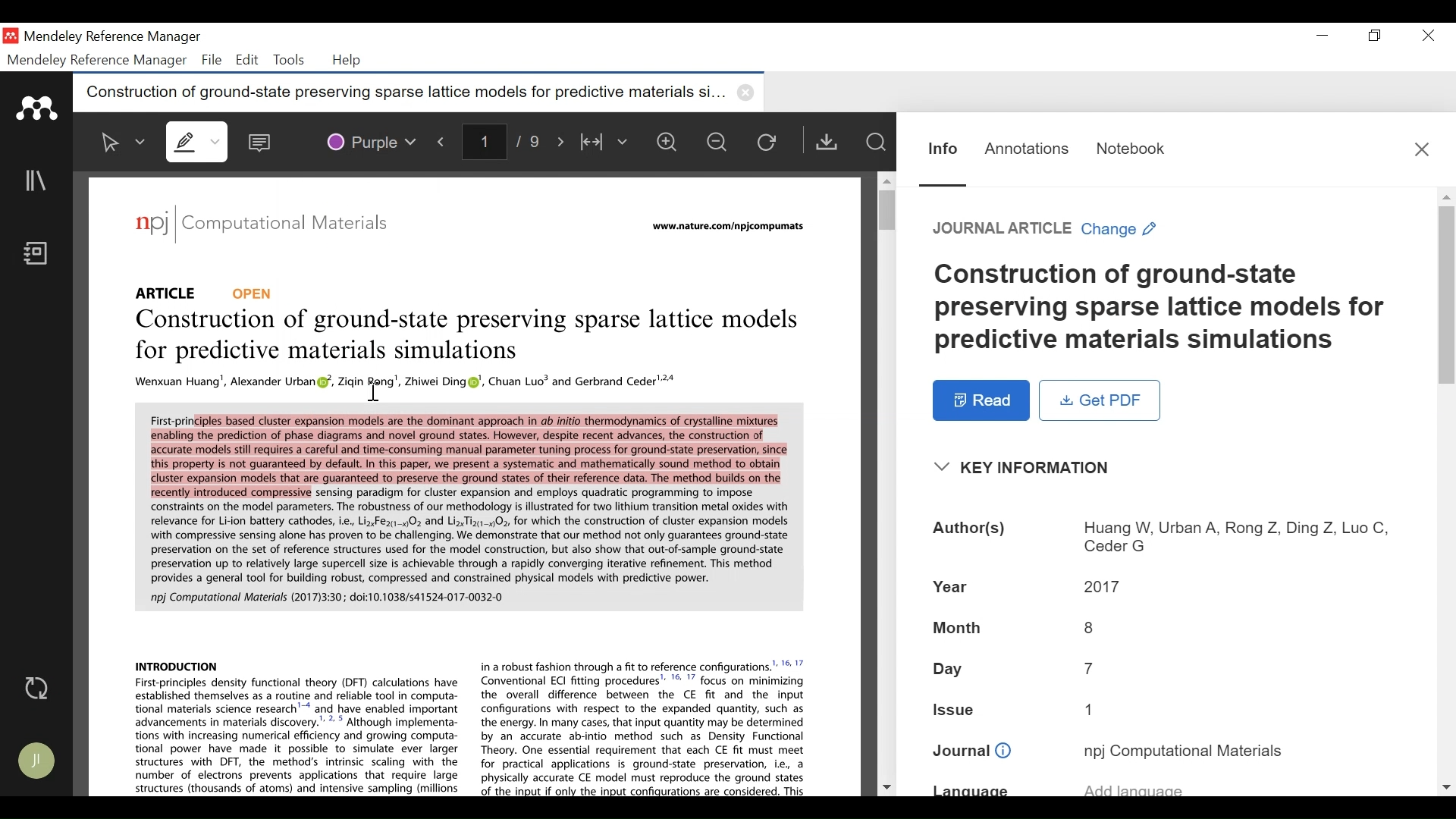  Describe the element at coordinates (1089, 629) in the screenshot. I see `8` at that location.